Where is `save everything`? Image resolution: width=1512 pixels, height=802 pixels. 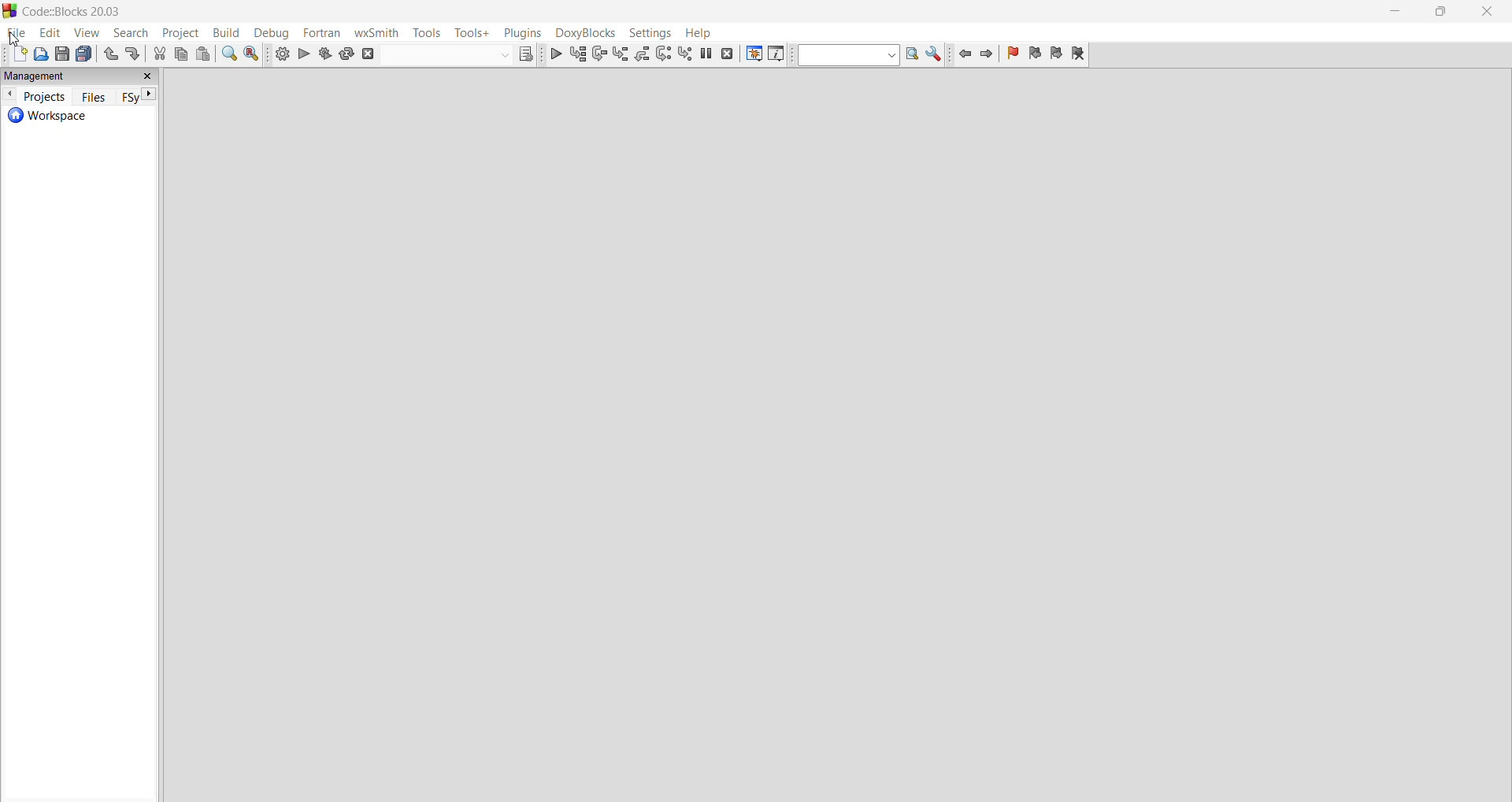
save everything is located at coordinates (83, 54).